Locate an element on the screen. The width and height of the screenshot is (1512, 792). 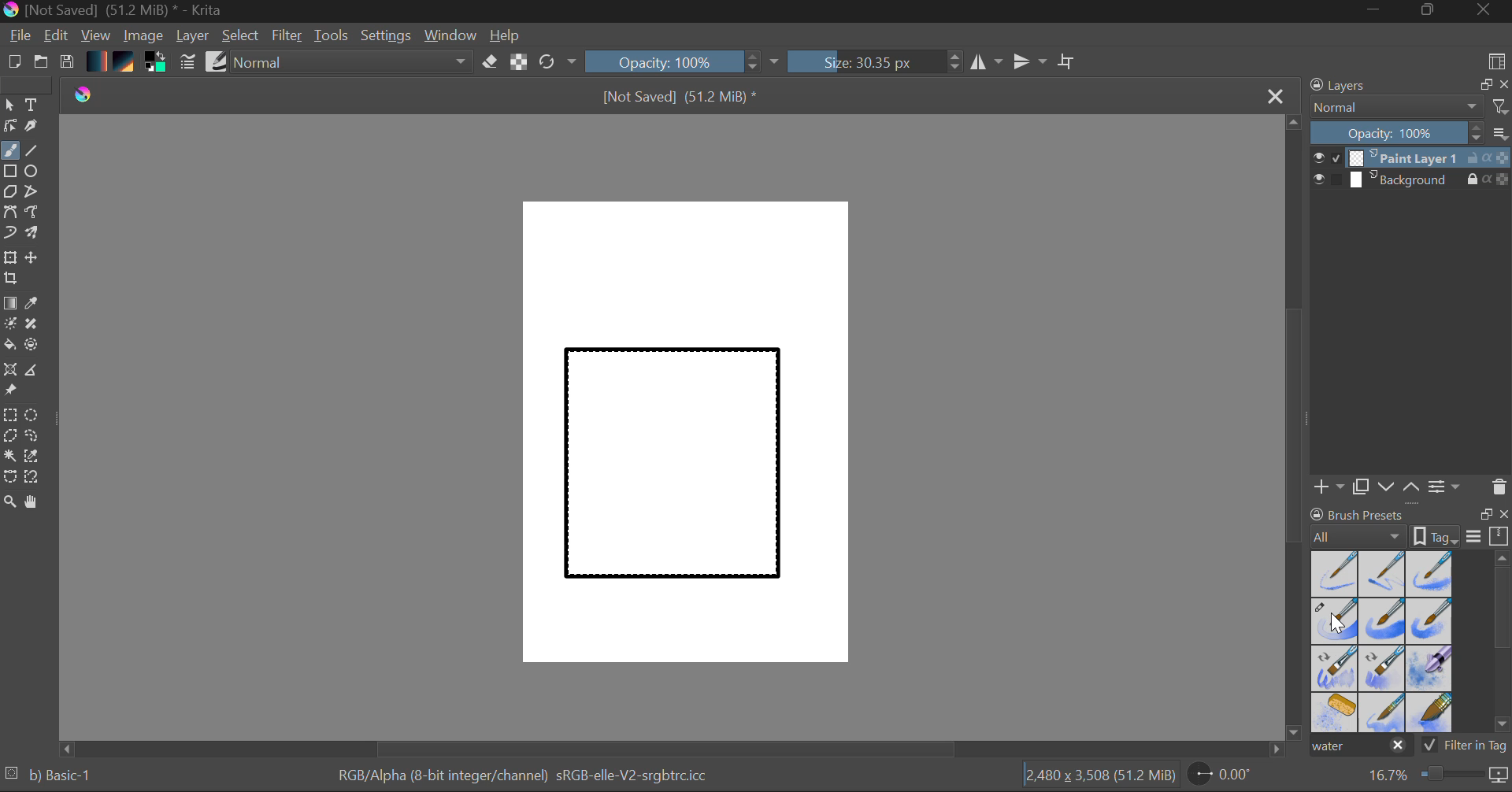
Water C - Dry is located at coordinates (1336, 572).